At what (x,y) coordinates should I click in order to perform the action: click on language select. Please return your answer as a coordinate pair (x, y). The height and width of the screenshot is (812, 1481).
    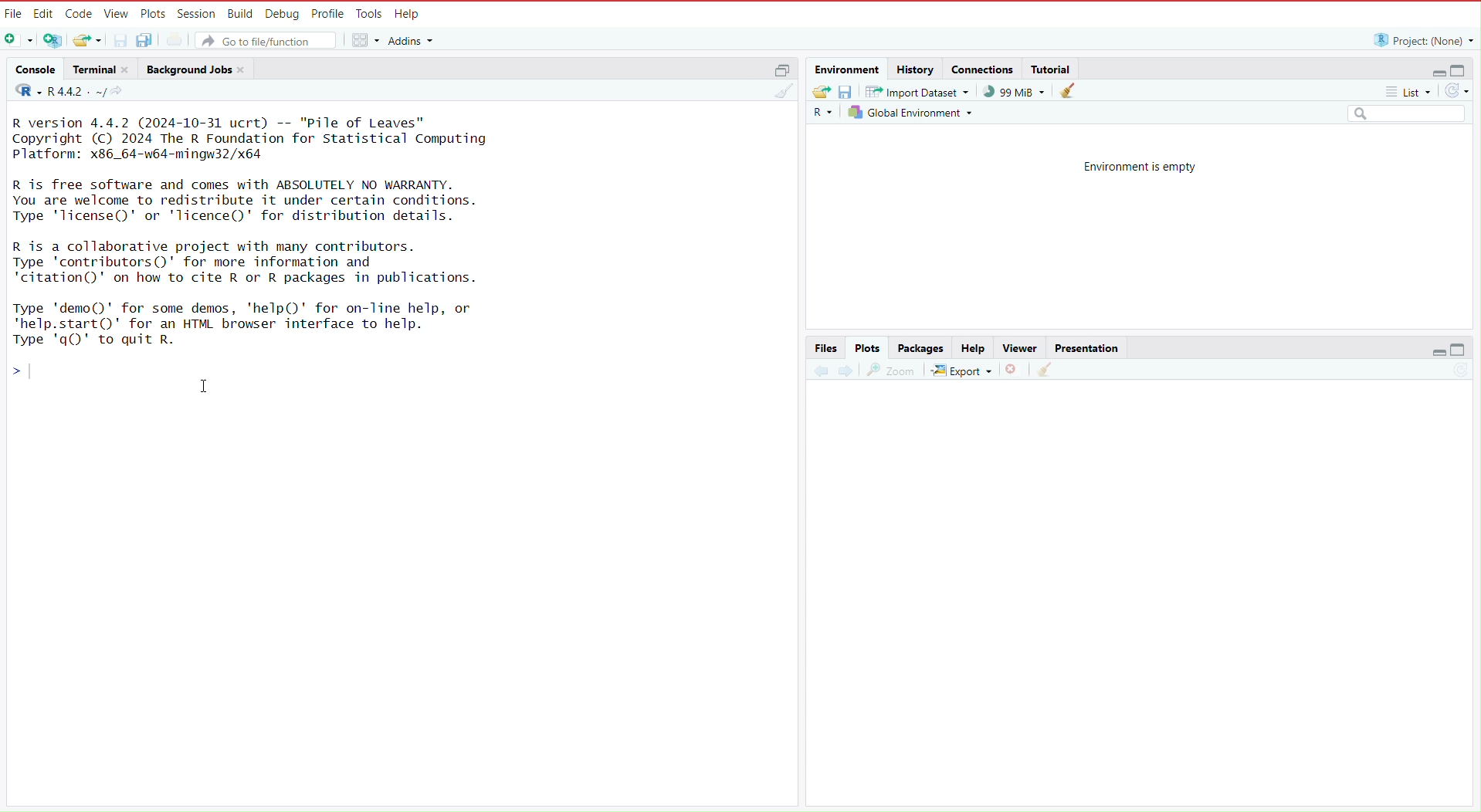
    Looking at the image, I should click on (822, 115).